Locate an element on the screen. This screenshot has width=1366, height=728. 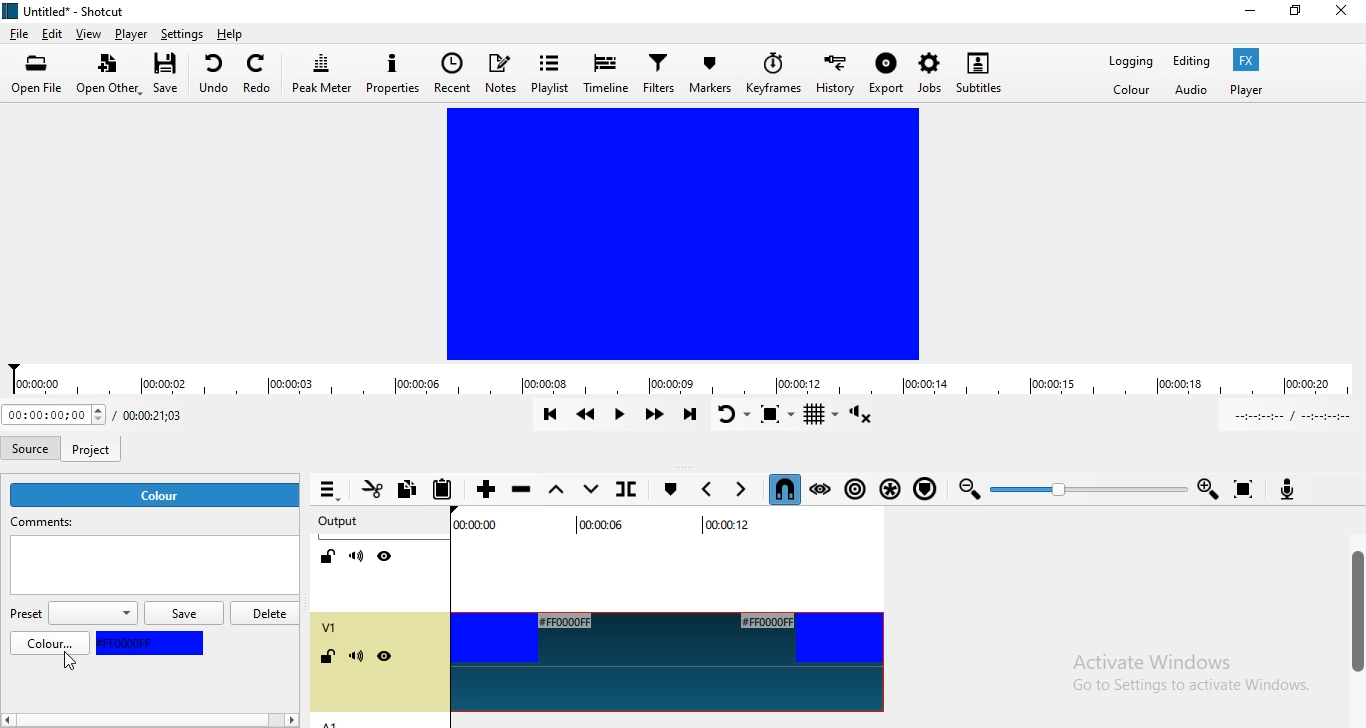
Color is located at coordinates (1131, 92).